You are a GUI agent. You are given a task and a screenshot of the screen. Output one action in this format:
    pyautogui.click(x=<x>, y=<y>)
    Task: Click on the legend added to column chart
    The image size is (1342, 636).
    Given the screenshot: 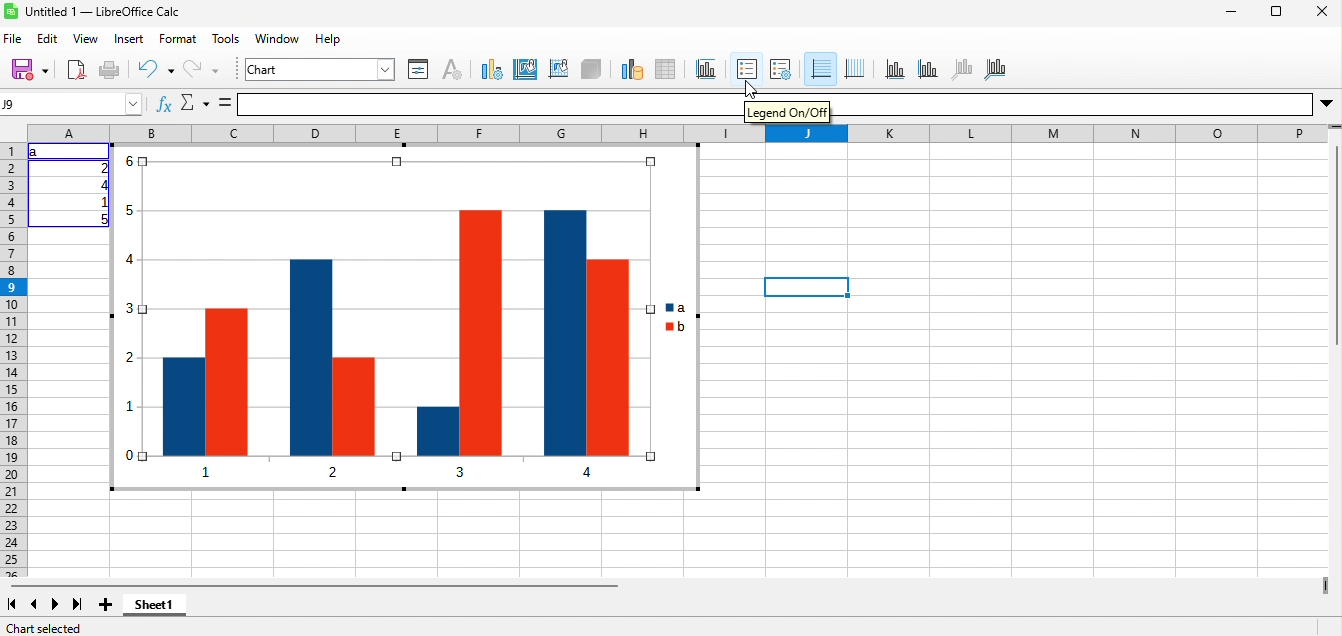 What is the action you would take?
    pyautogui.click(x=406, y=317)
    